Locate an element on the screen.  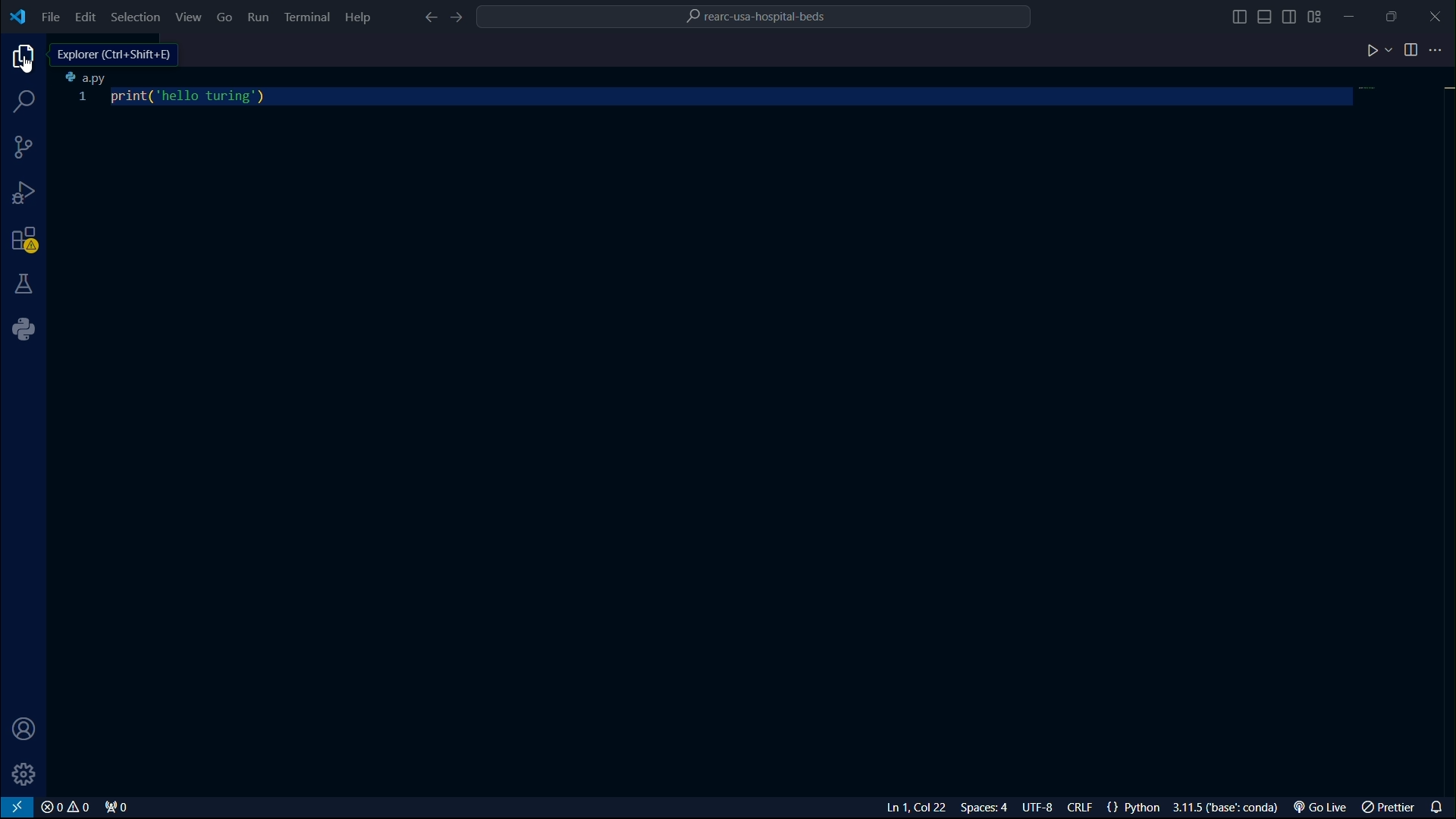
toggle panel is located at coordinates (1266, 16).